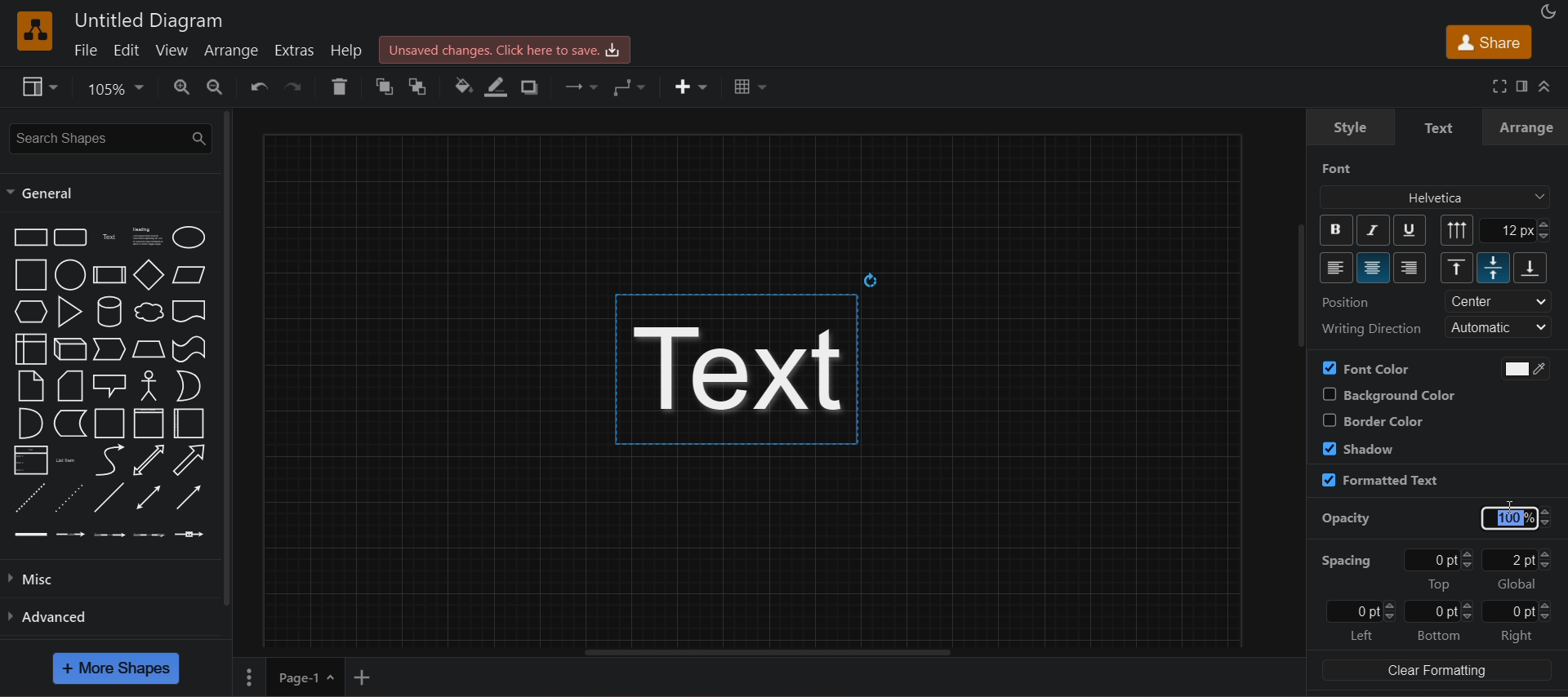 The height and width of the screenshot is (697, 1568). What do you see at coordinates (296, 85) in the screenshot?
I see `redo` at bounding box center [296, 85].